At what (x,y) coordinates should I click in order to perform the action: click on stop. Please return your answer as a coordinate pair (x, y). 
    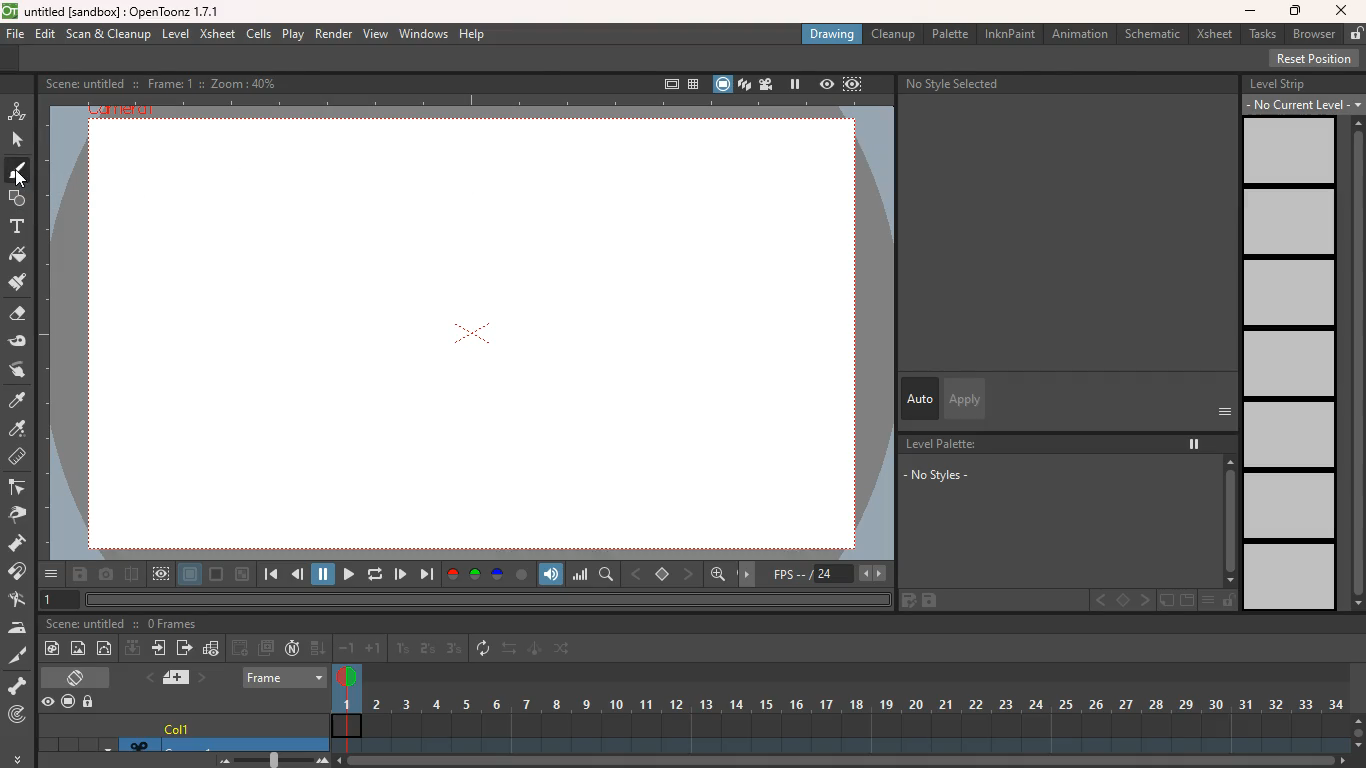
    Looking at the image, I should click on (1122, 601).